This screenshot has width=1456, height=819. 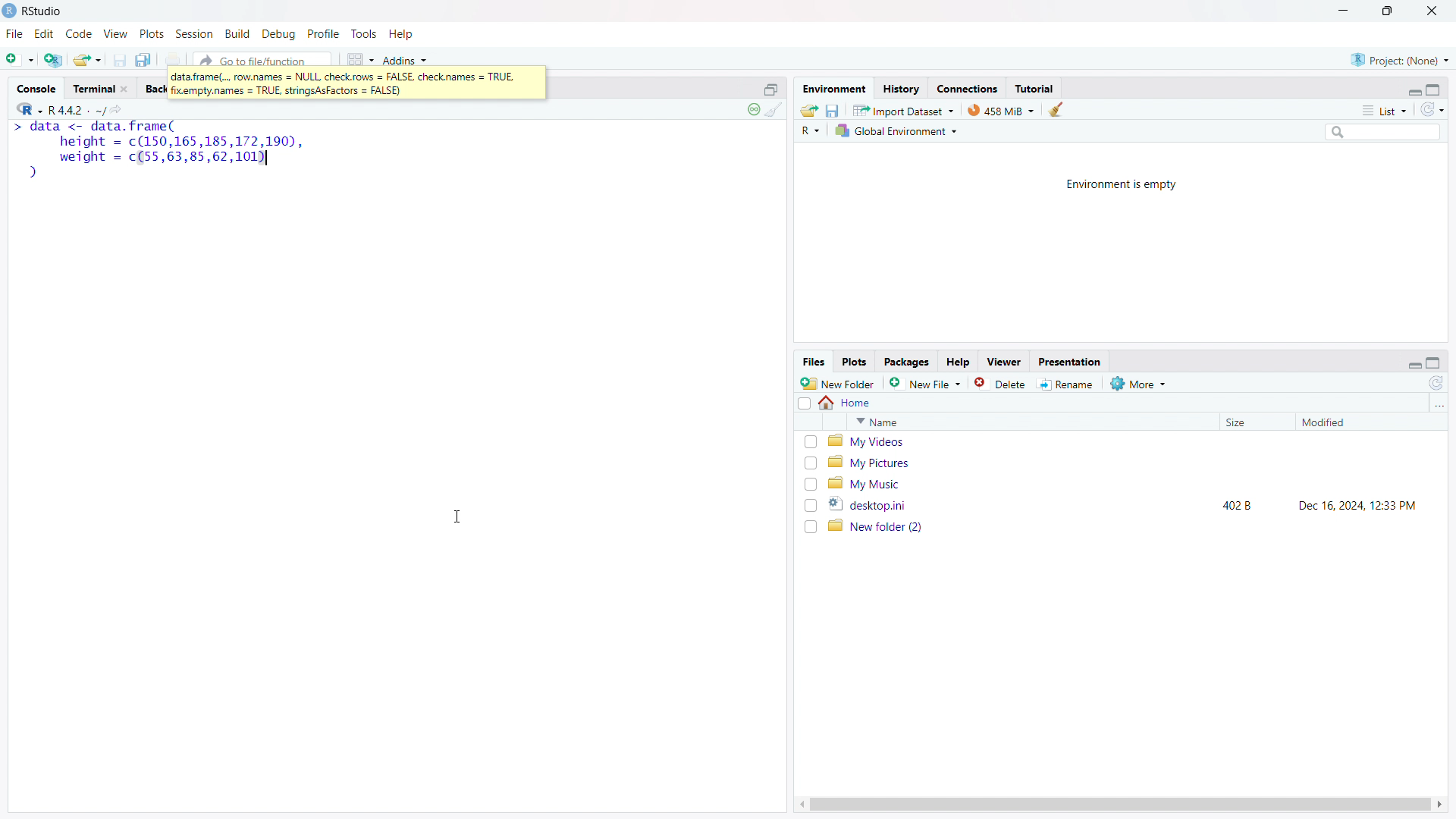 I want to click on presentation, so click(x=1071, y=361).